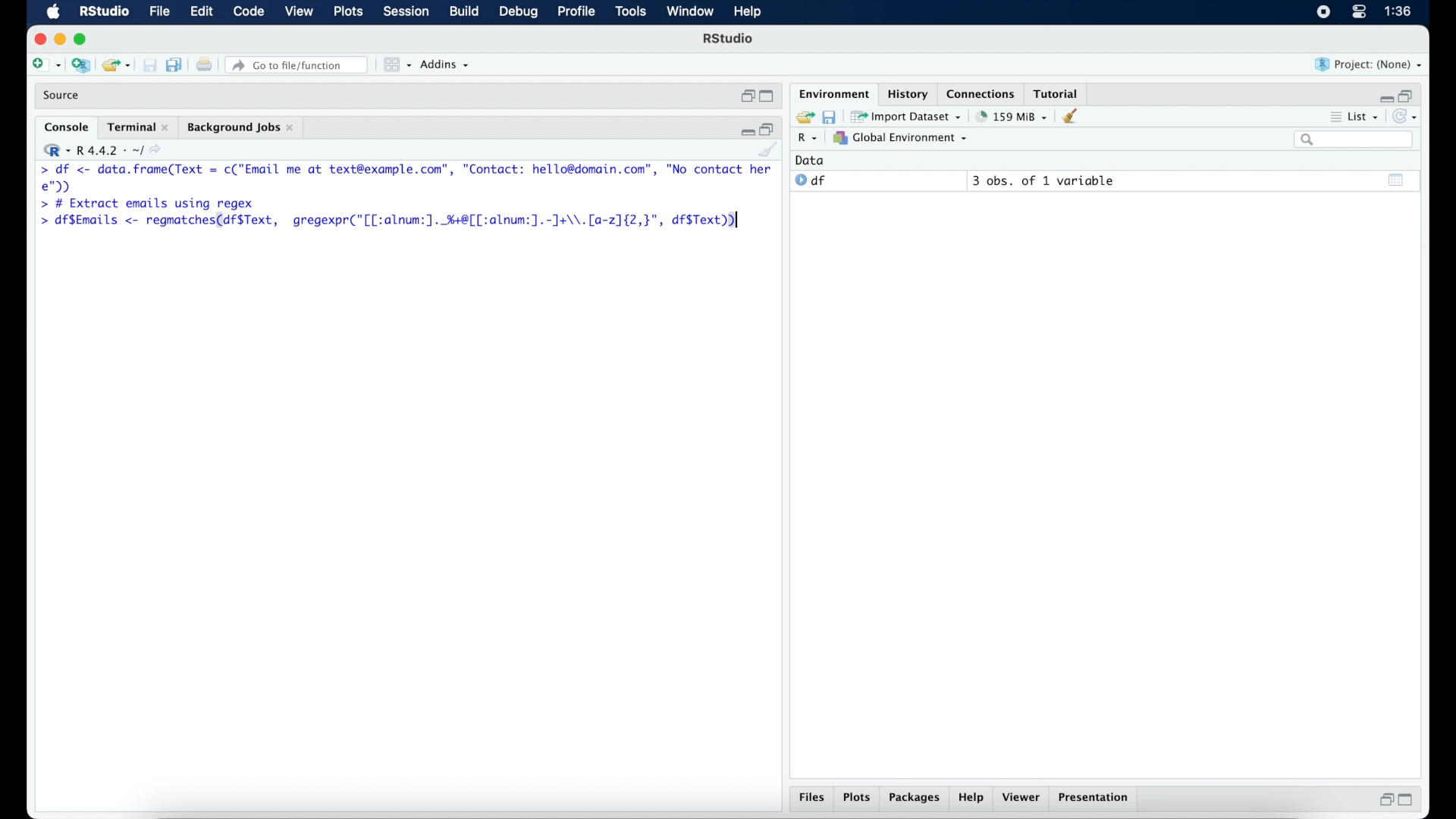 This screenshot has height=819, width=1456. I want to click on create new project, so click(80, 64).